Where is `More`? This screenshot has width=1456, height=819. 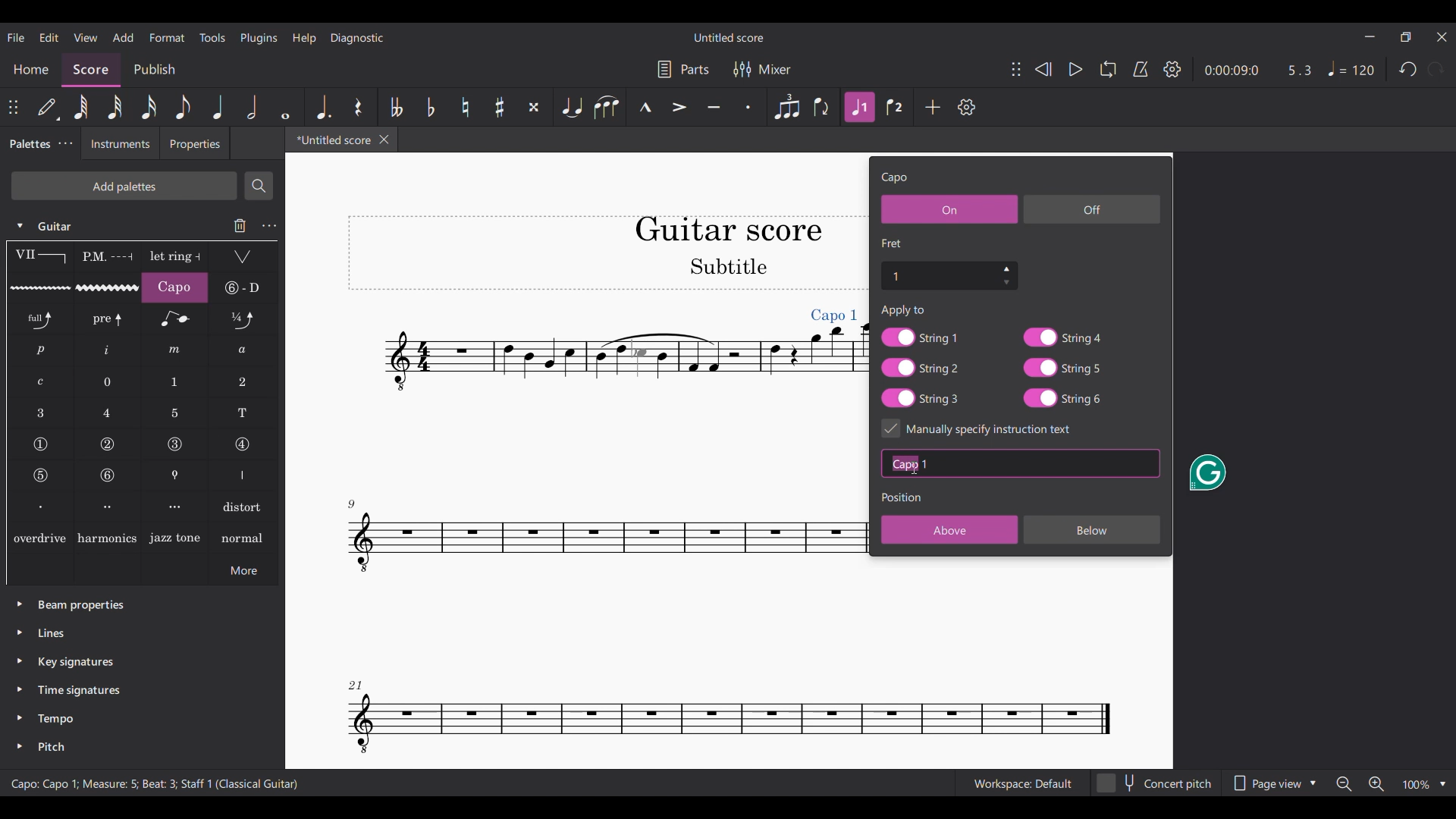 More is located at coordinates (243, 570).